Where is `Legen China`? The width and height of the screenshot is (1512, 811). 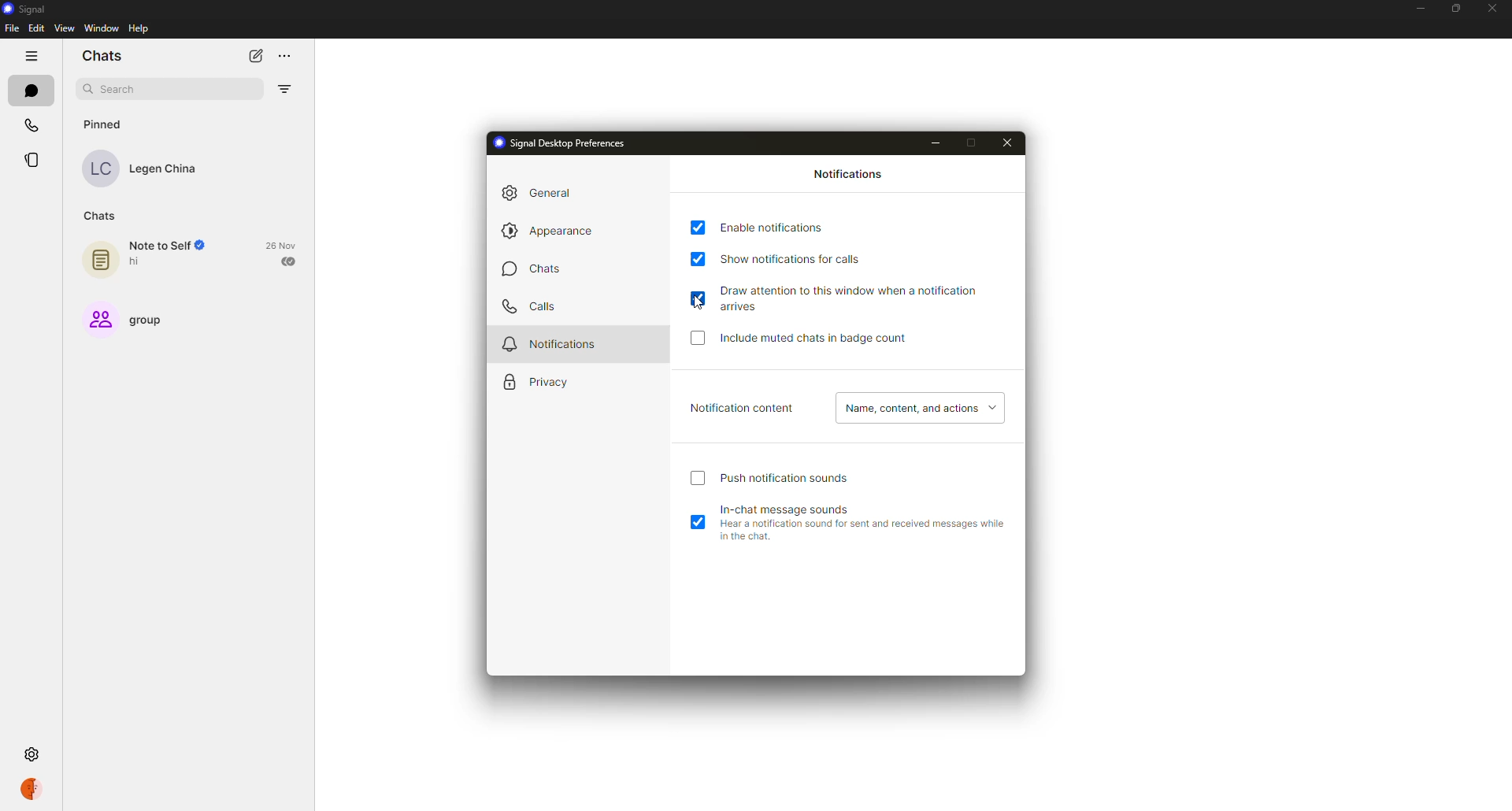
Legen China is located at coordinates (168, 170).